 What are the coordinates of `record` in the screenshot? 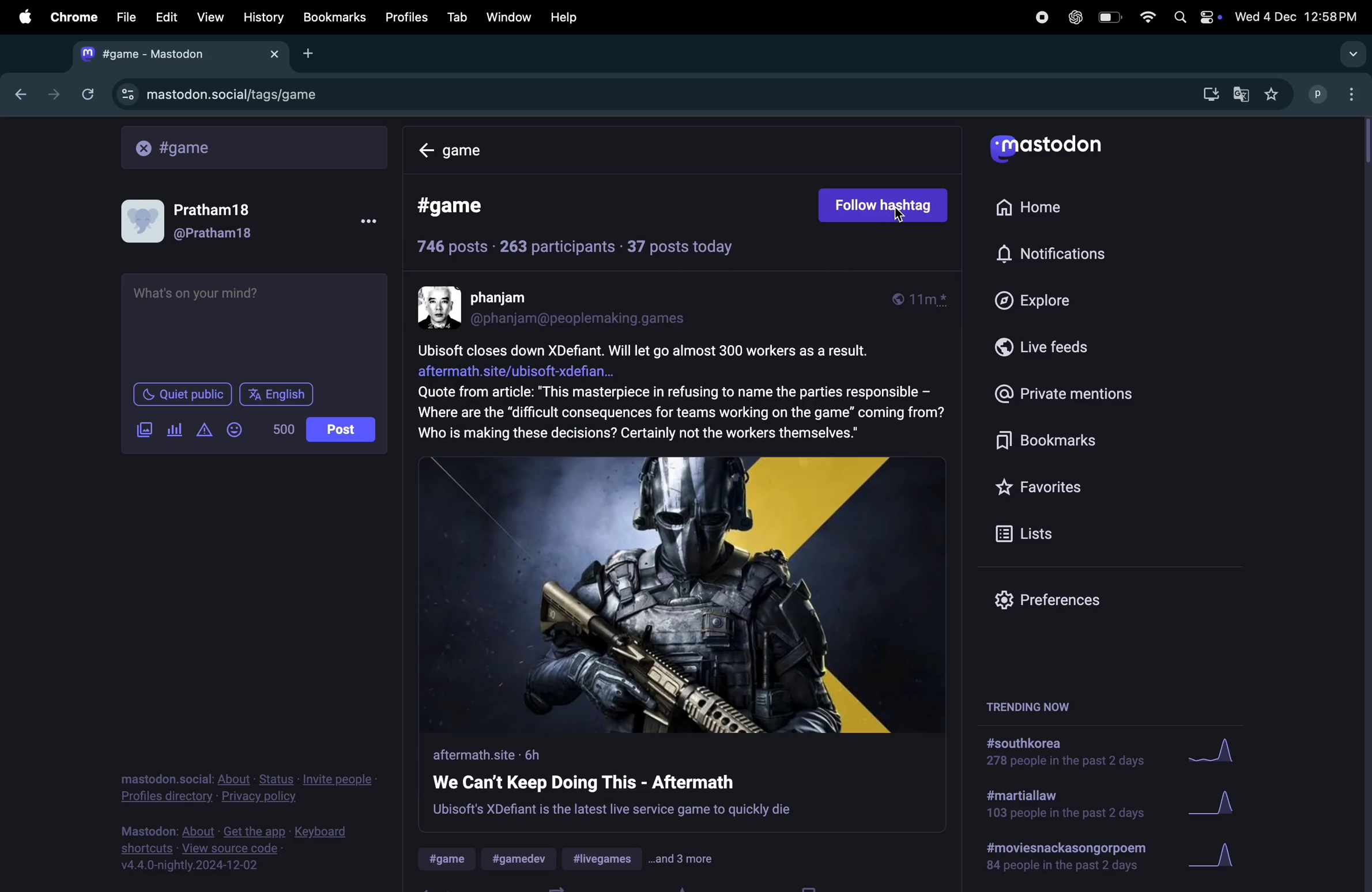 It's located at (1041, 17).